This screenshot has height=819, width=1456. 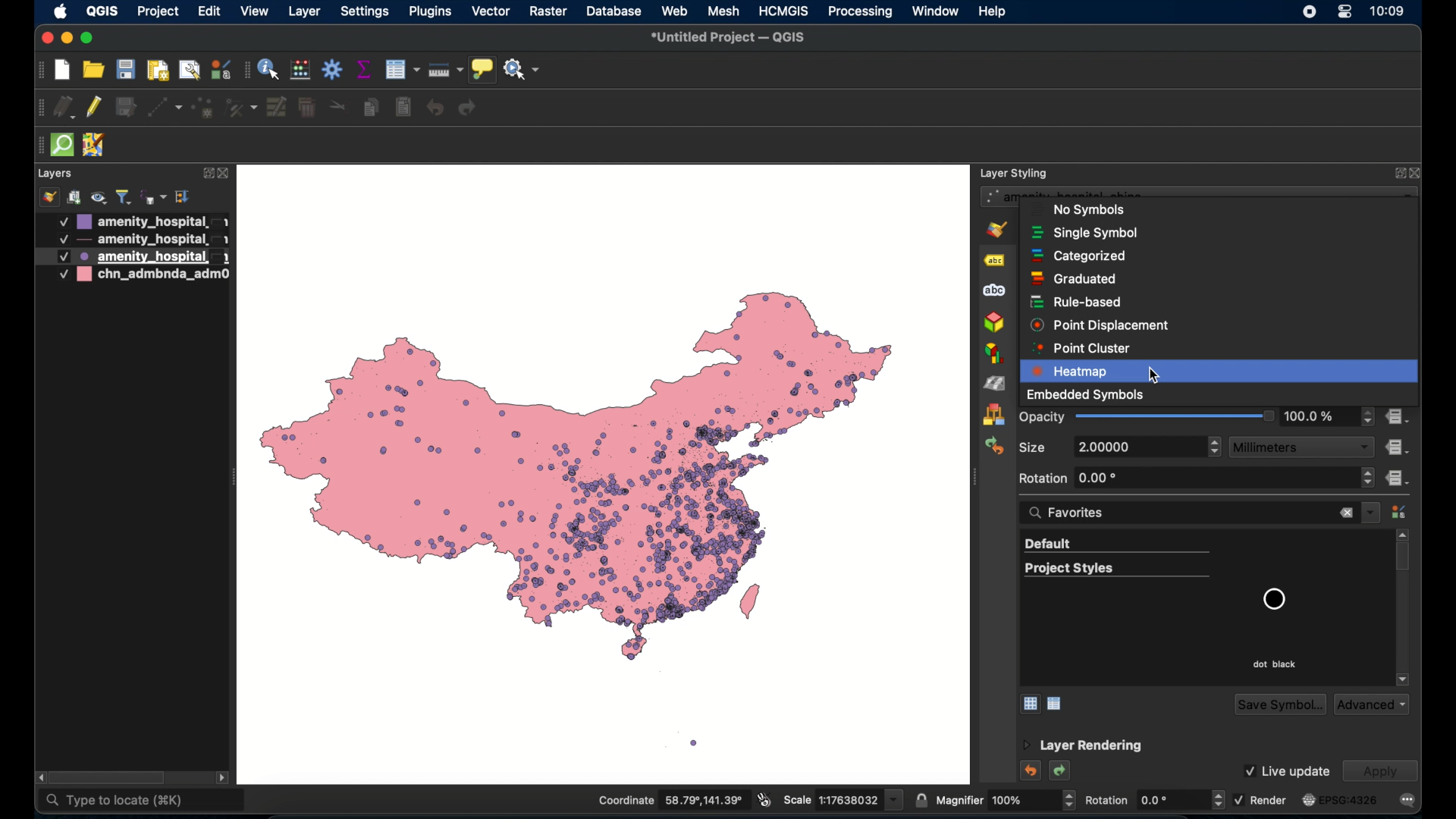 What do you see at coordinates (601, 474) in the screenshot?
I see `healthcare facilities in china` at bounding box center [601, 474].